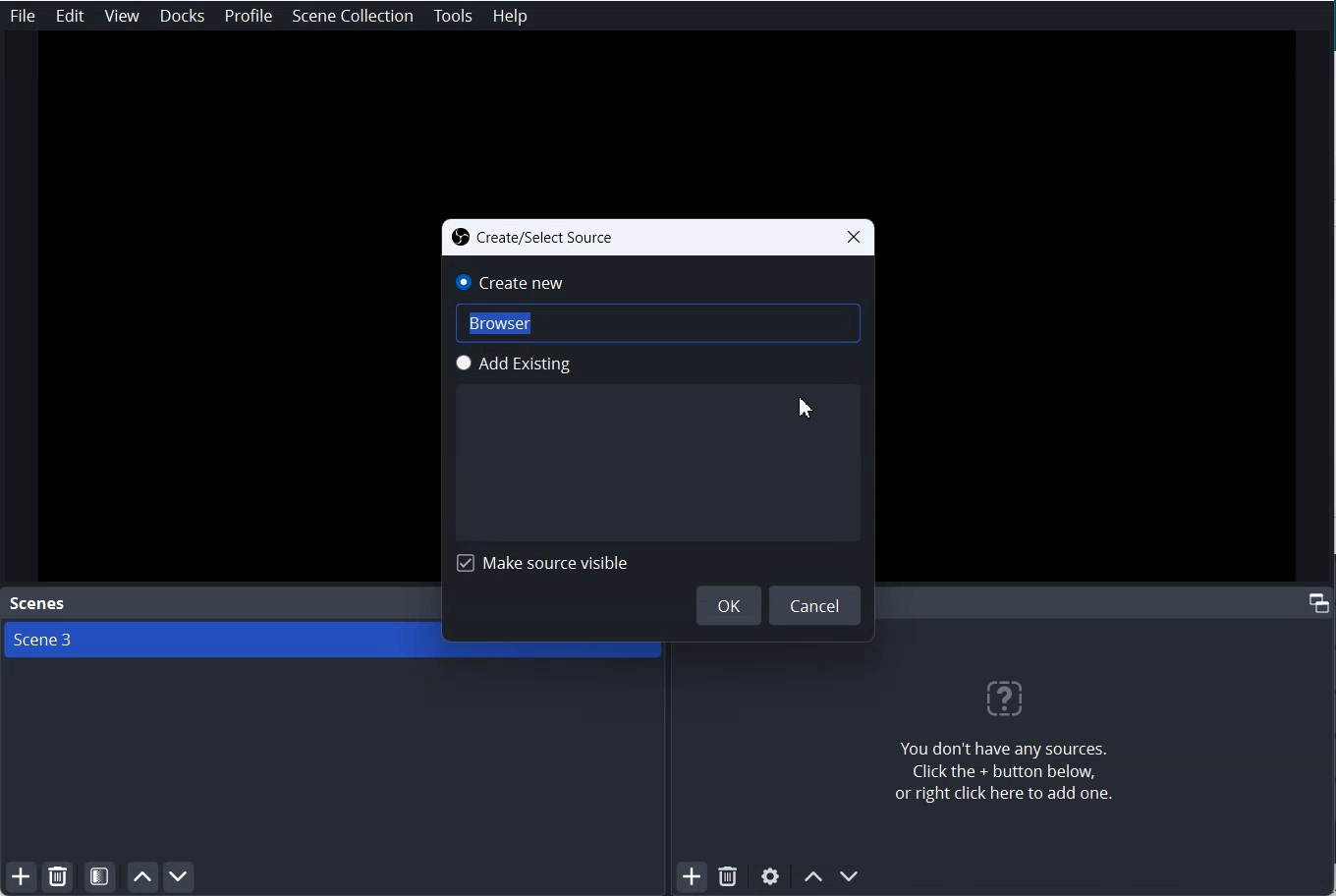 Image resolution: width=1336 pixels, height=896 pixels. What do you see at coordinates (694, 877) in the screenshot?
I see `Add Source` at bounding box center [694, 877].